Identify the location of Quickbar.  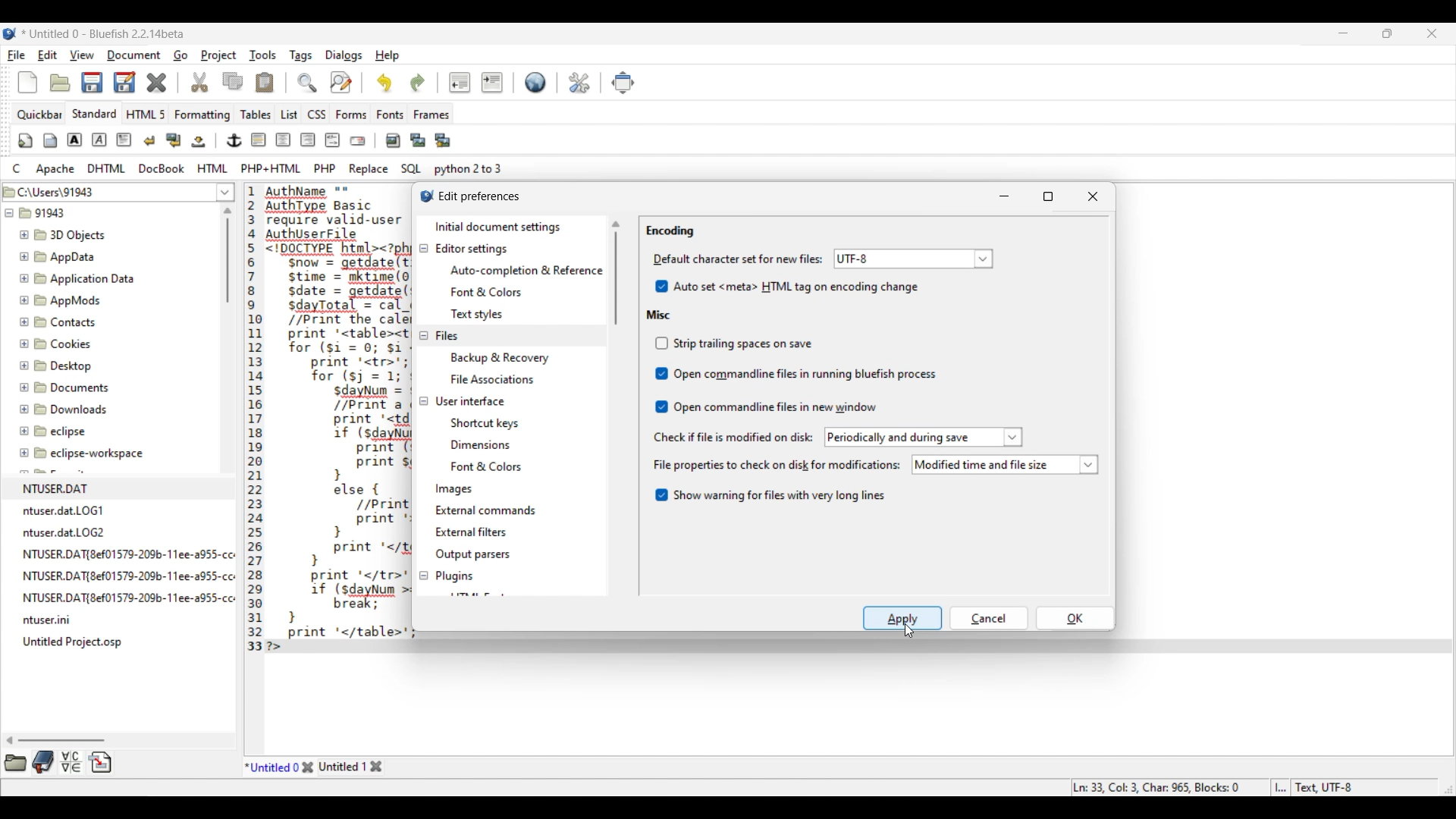
(39, 115).